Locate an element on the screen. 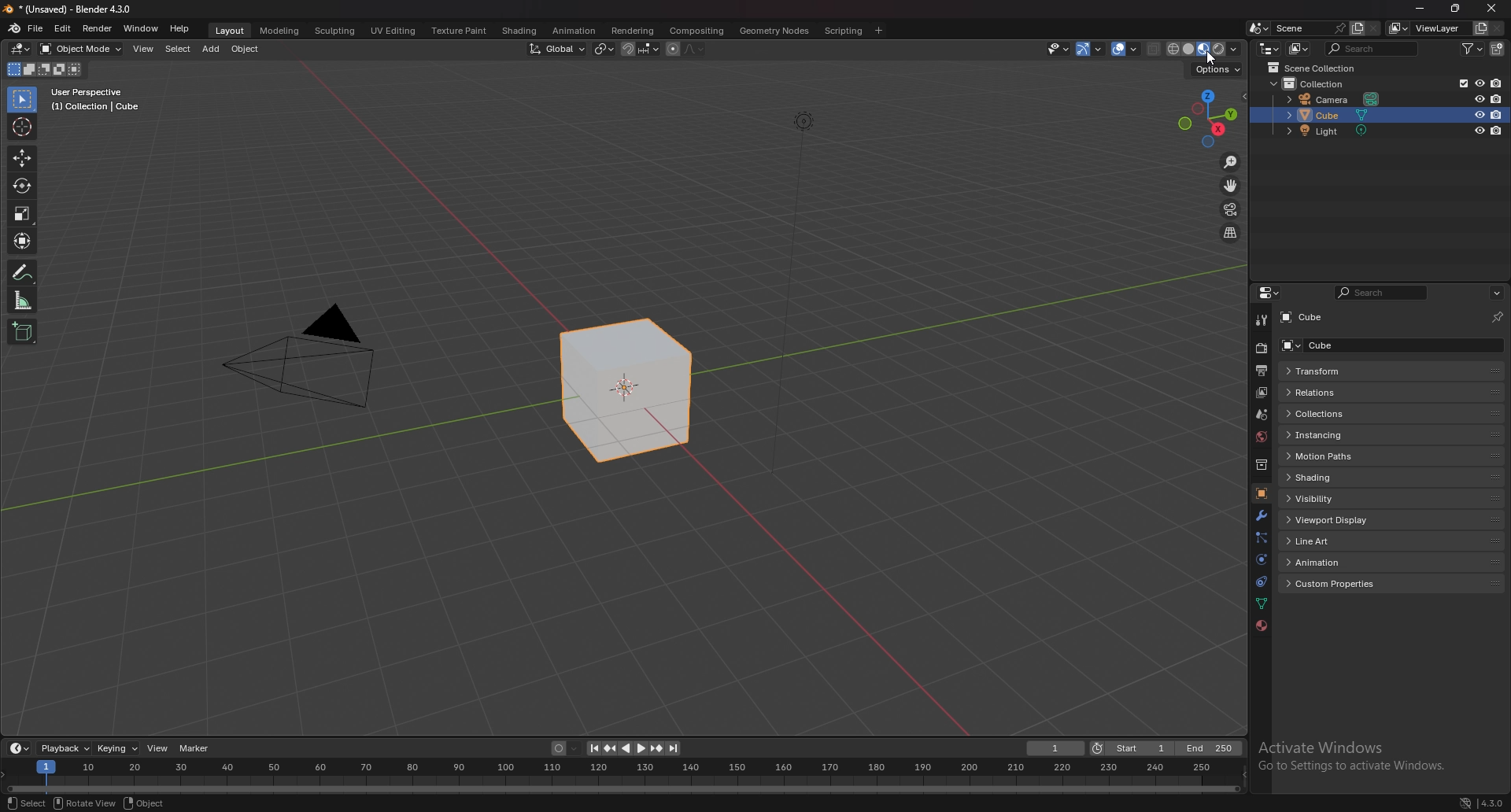 The width and height of the screenshot is (1511, 812). proportional editing falloff is located at coordinates (693, 50).